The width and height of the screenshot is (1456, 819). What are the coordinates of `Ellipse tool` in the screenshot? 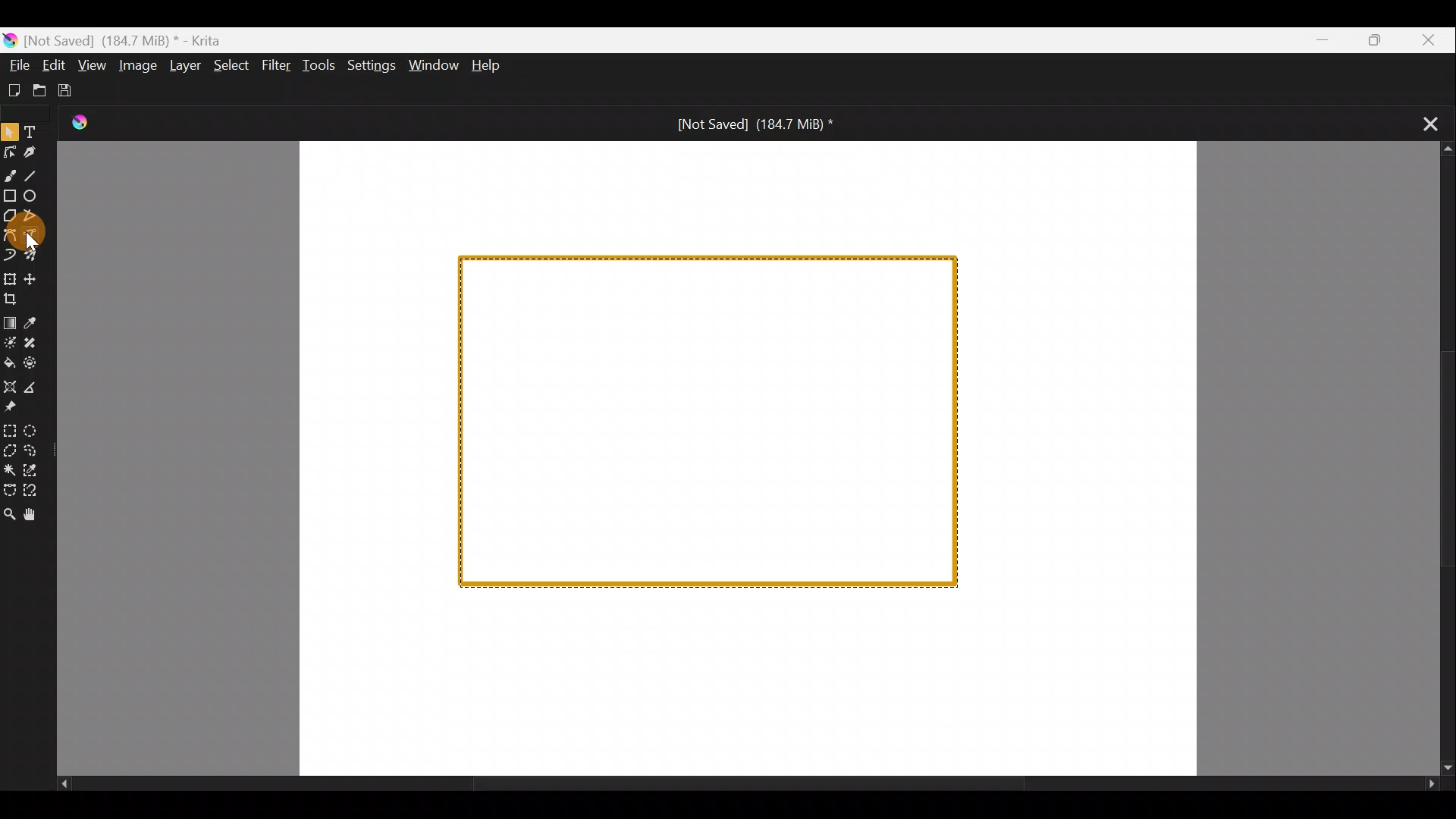 It's located at (37, 197).